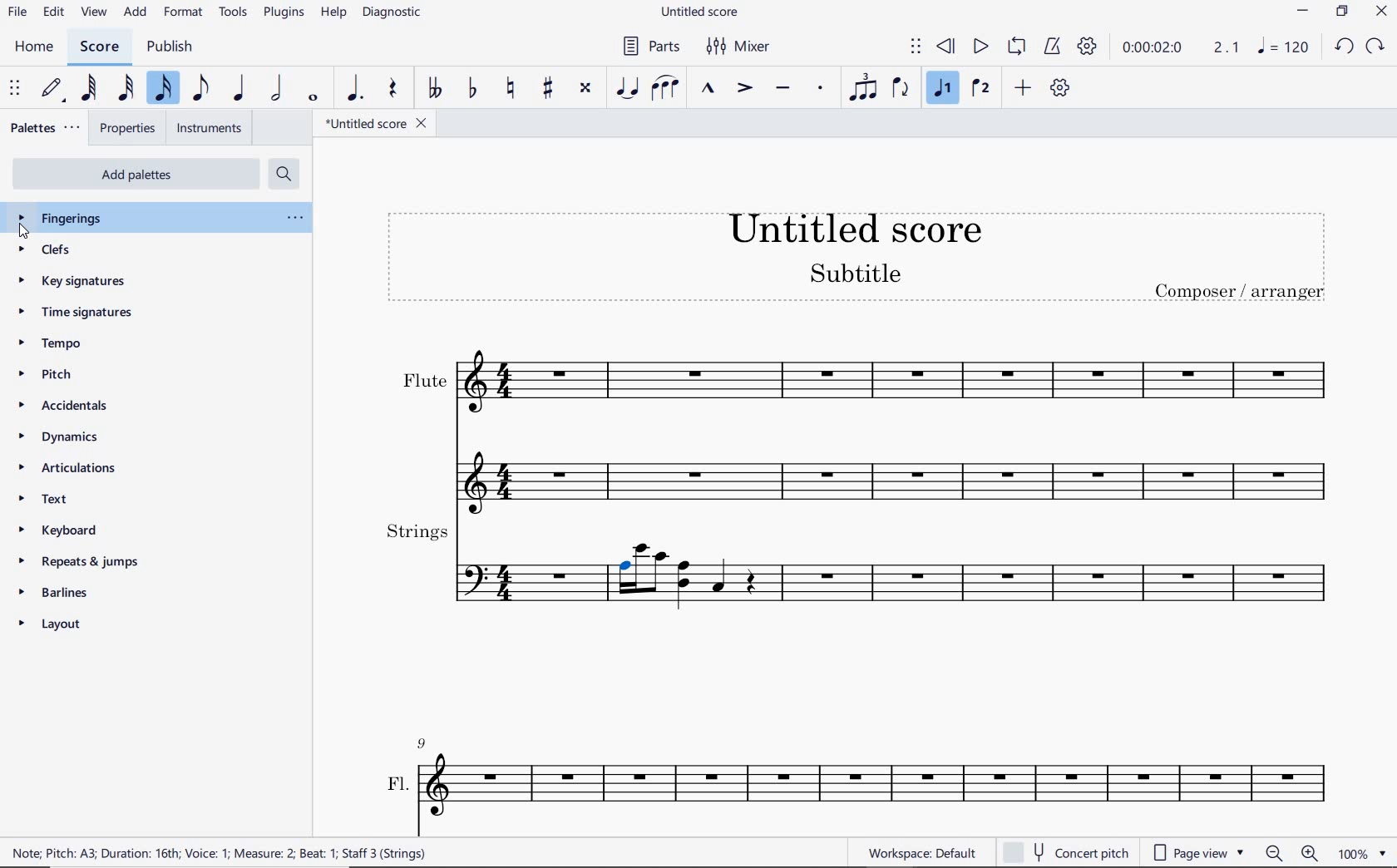  I want to click on NOTE, so click(1283, 48).